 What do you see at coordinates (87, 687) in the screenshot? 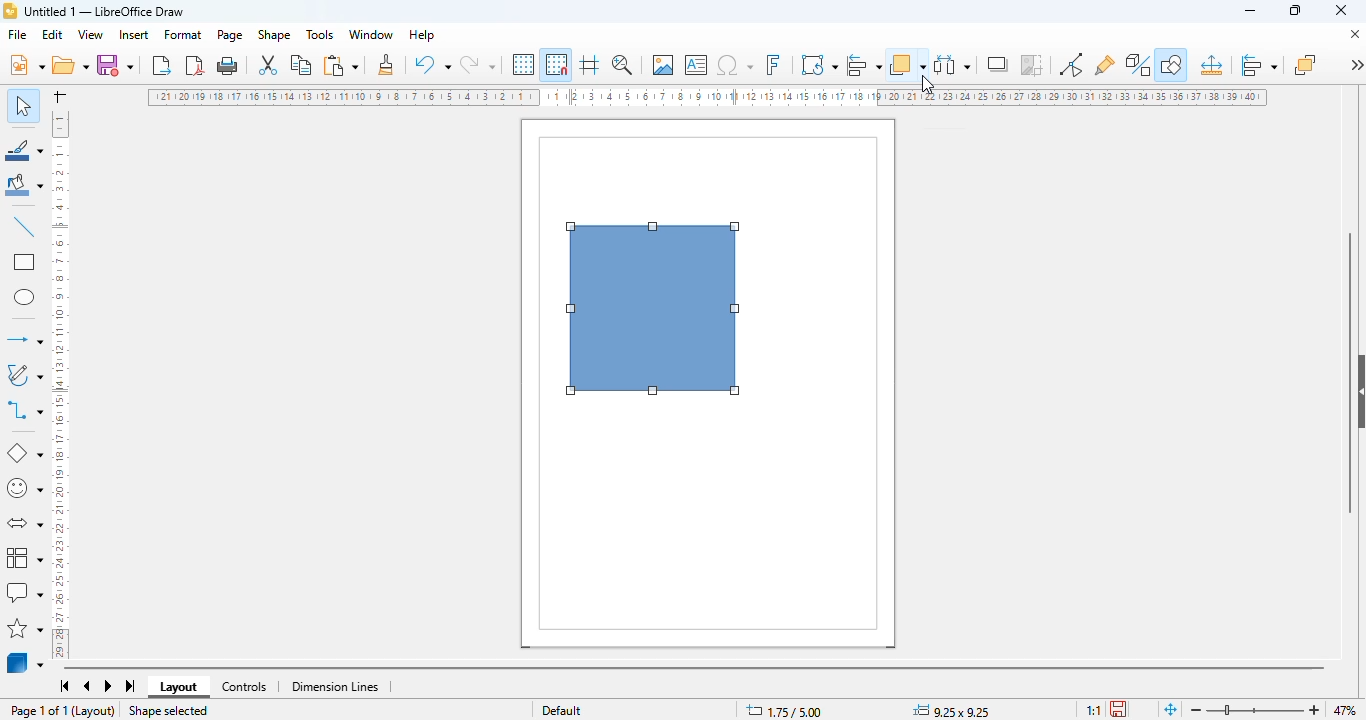
I see `scroll to previous sheet` at bounding box center [87, 687].